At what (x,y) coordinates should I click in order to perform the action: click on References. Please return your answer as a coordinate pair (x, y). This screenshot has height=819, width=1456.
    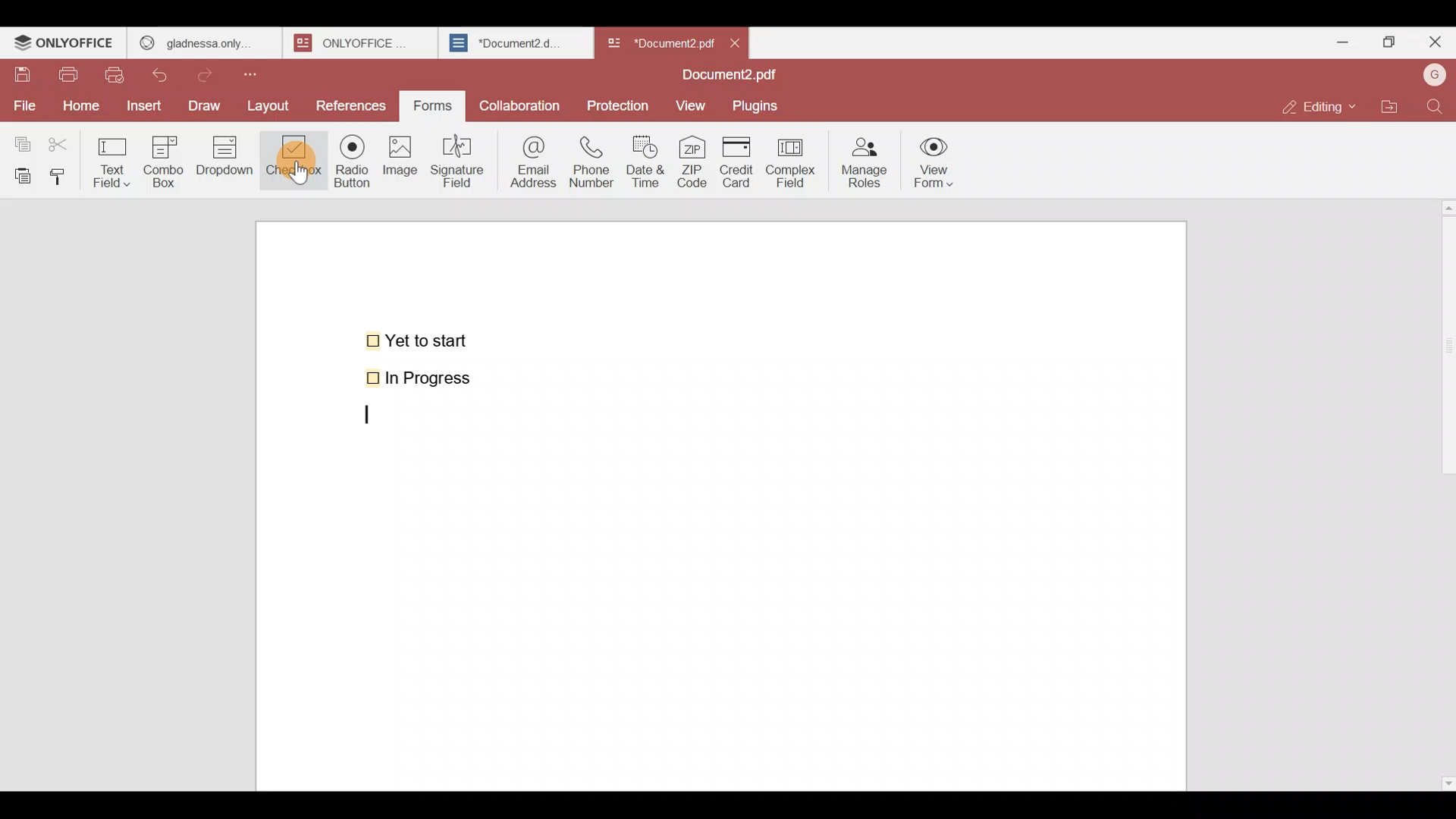
    Looking at the image, I should click on (351, 105).